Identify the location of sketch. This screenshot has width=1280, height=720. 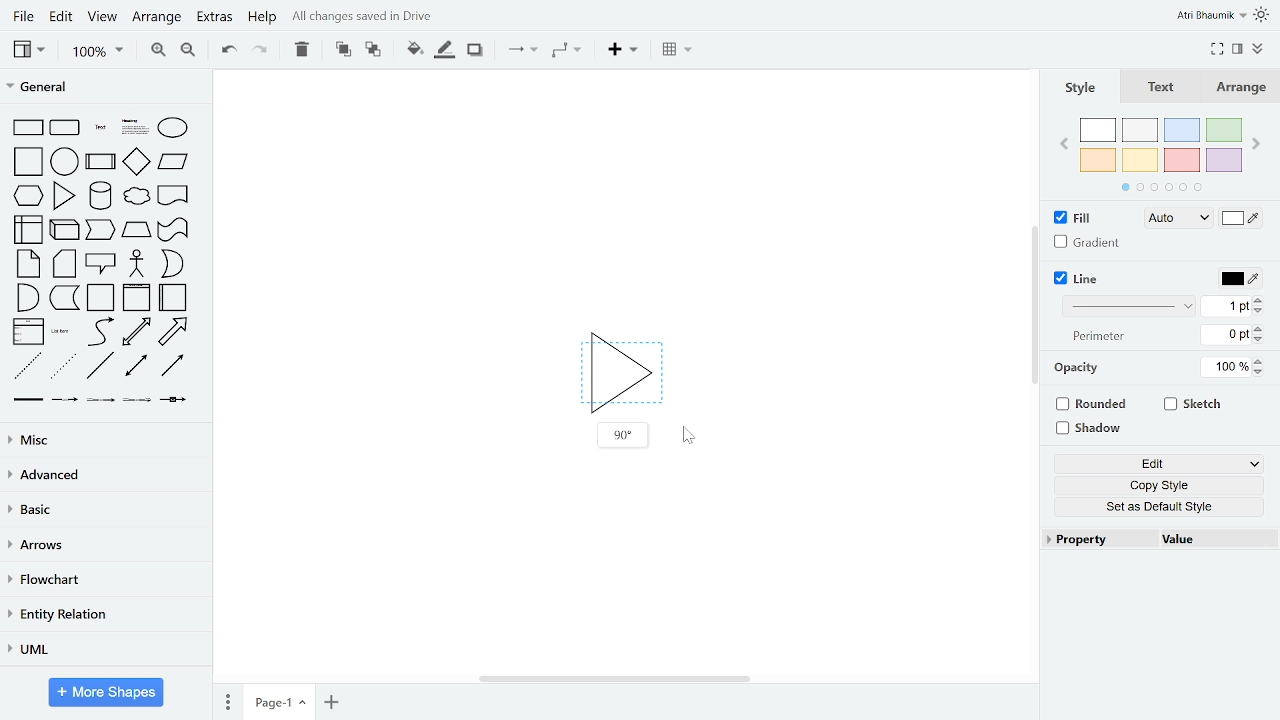
(1194, 406).